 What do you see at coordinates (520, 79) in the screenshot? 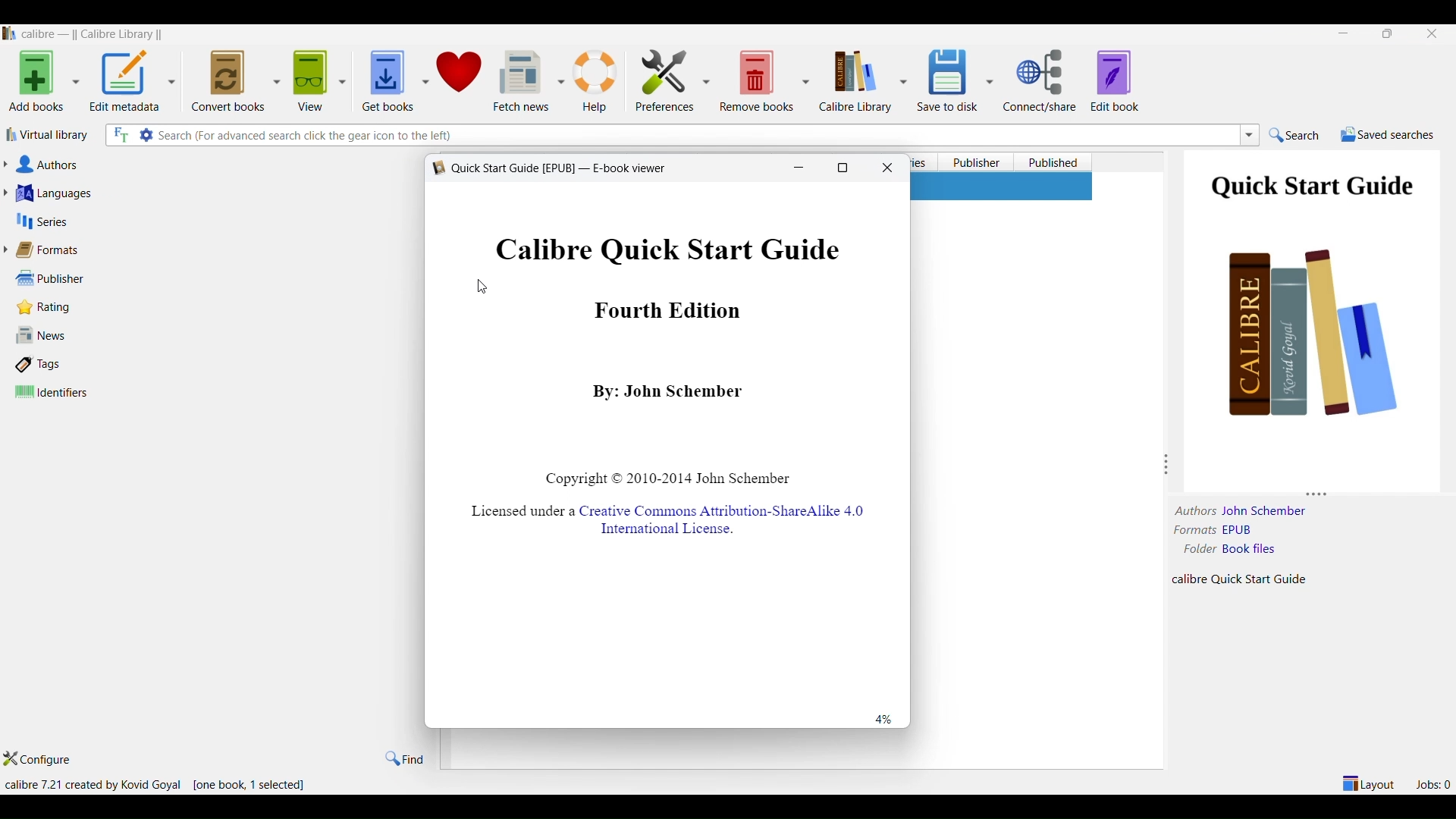
I see `fetch news` at bounding box center [520, 79].